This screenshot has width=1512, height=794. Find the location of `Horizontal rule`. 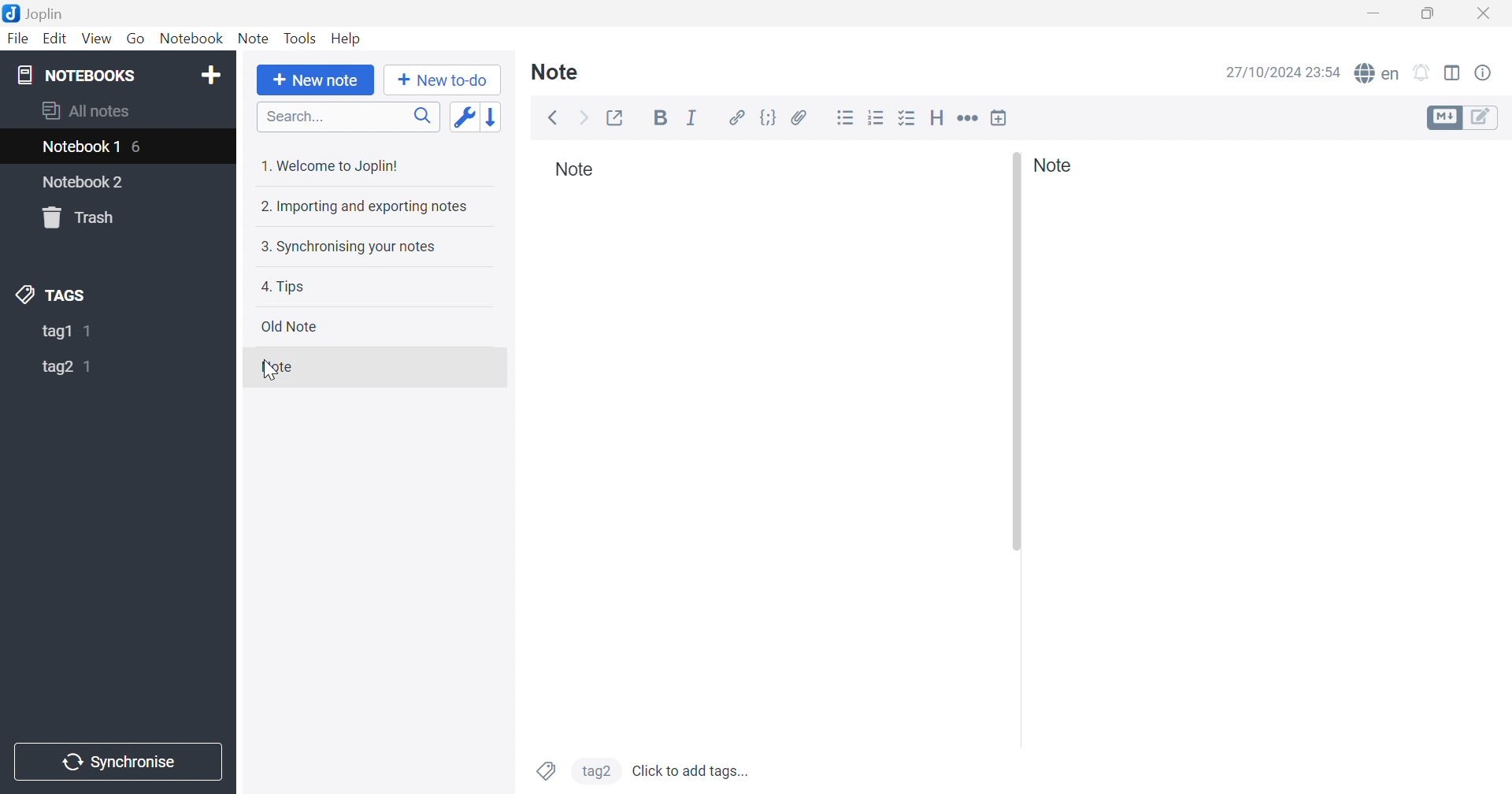

Horizontal rule is located at coordinates (969, 120).